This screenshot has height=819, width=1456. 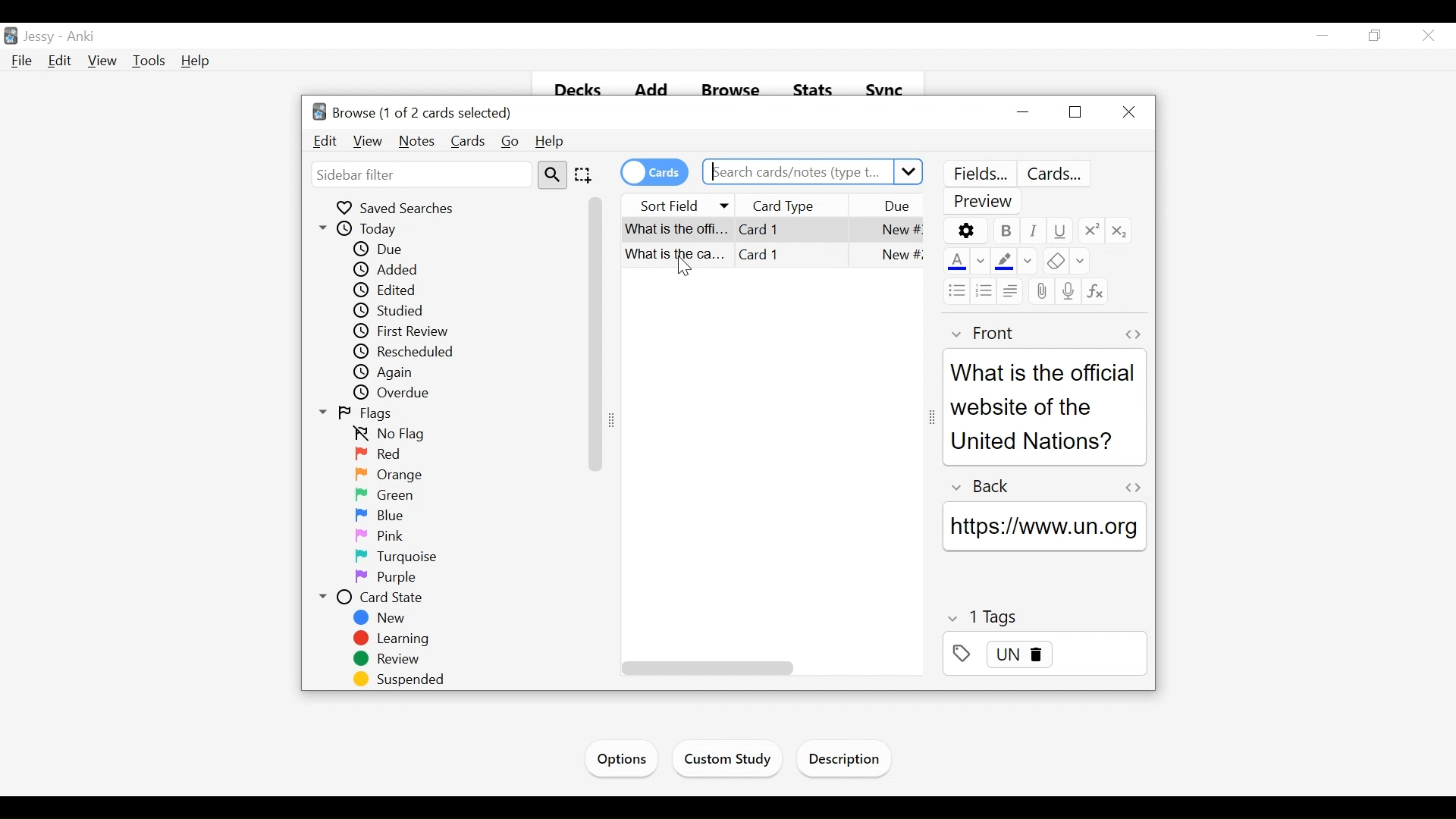 I want to click on Create Deck, so click(x=741, y=758).